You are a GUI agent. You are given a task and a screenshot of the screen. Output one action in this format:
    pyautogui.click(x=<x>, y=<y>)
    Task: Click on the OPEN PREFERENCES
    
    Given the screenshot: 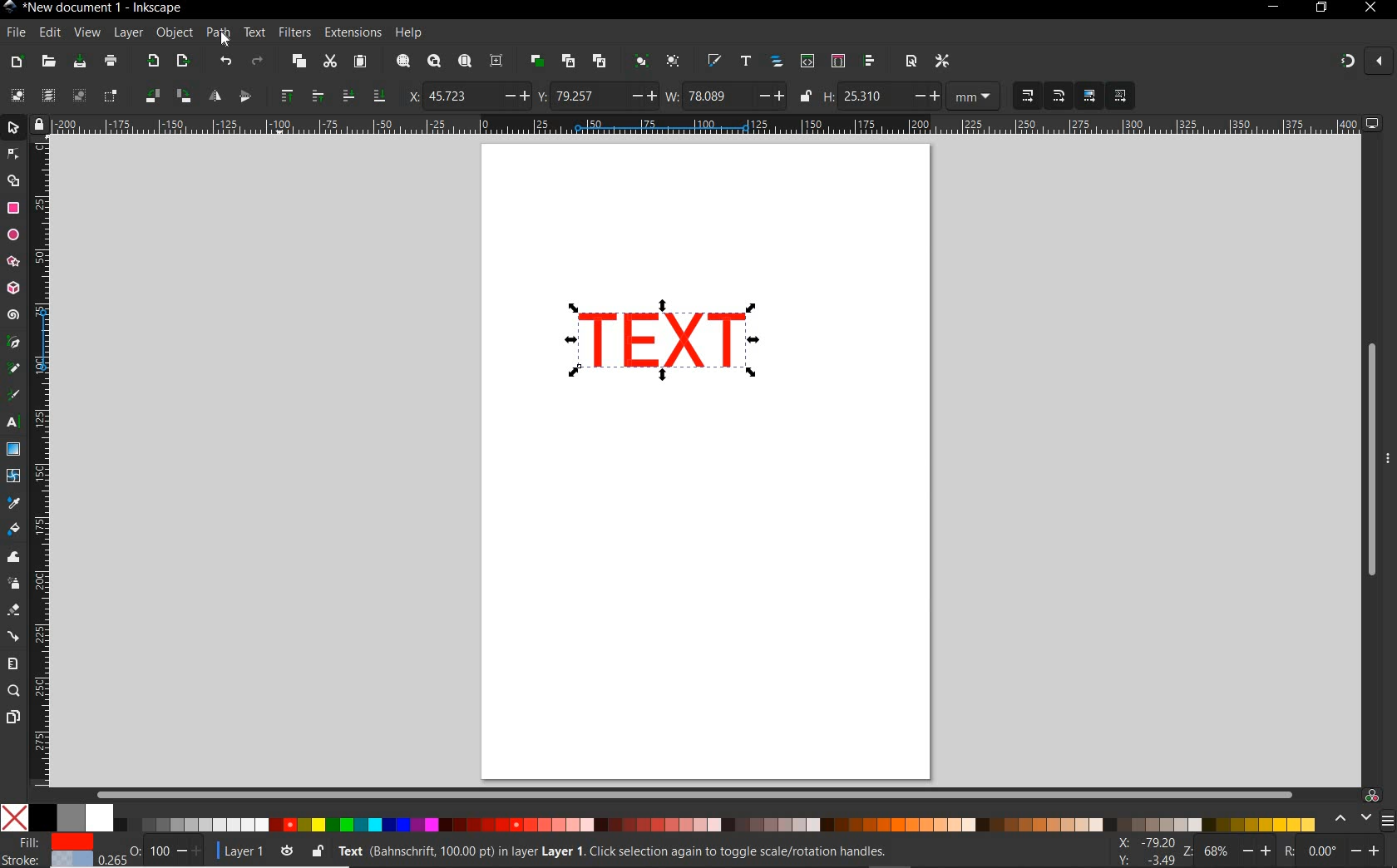 What is the action you would take?
    pyautogui.click(x=944, y=61)
    